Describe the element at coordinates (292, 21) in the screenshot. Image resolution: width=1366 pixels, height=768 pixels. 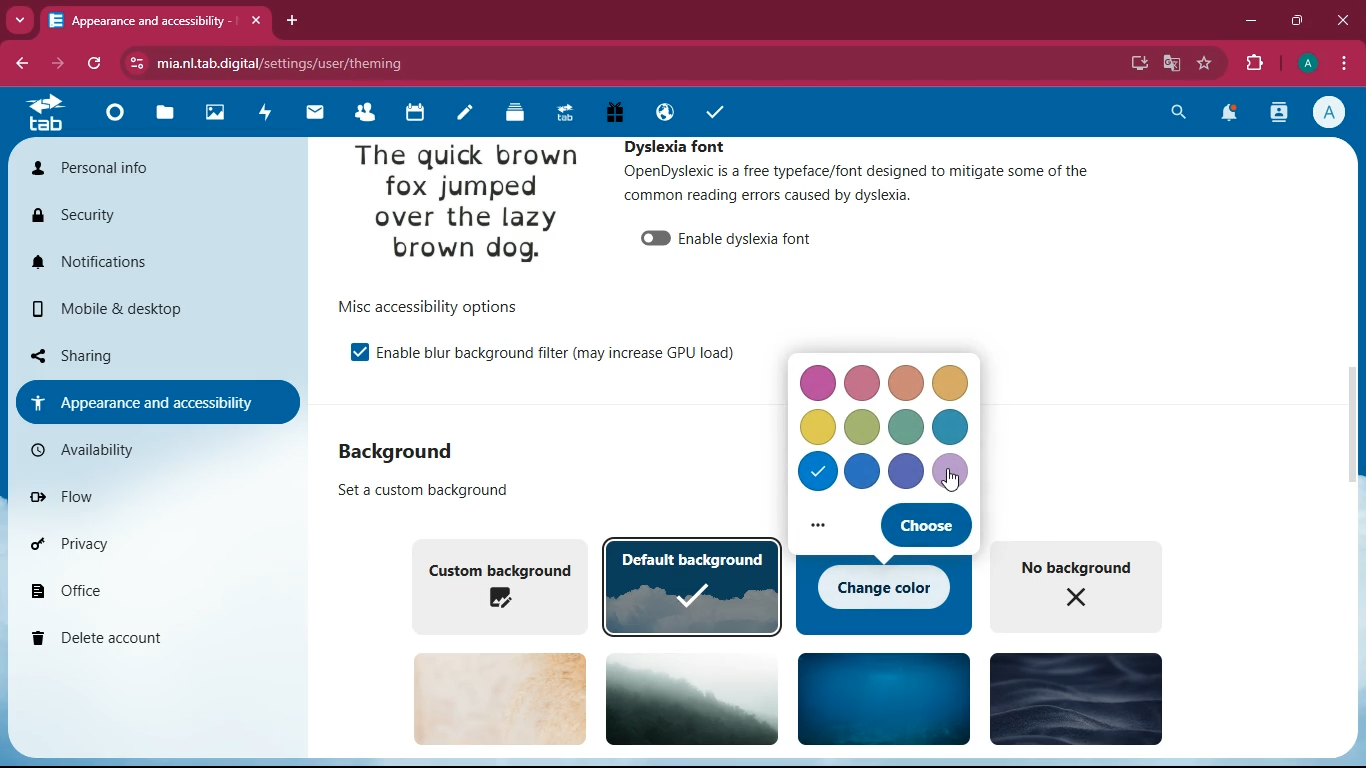
I see `add tab` at that location.